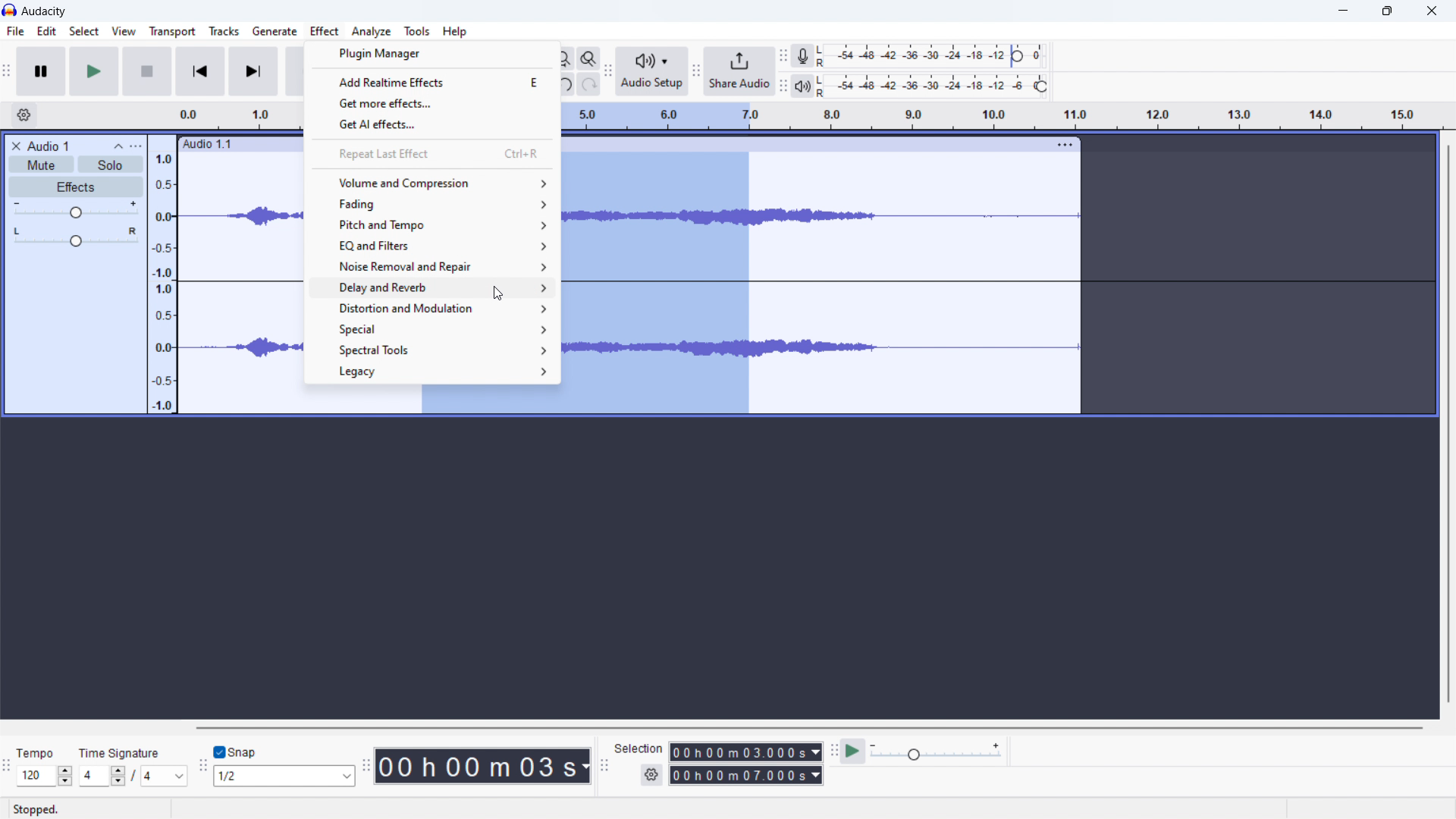 The width and height of the screenshot is (1456, 819). What do you see at coordinates (16, 31) in the screenshot?
I see `file` at bounding box center [16, 31].